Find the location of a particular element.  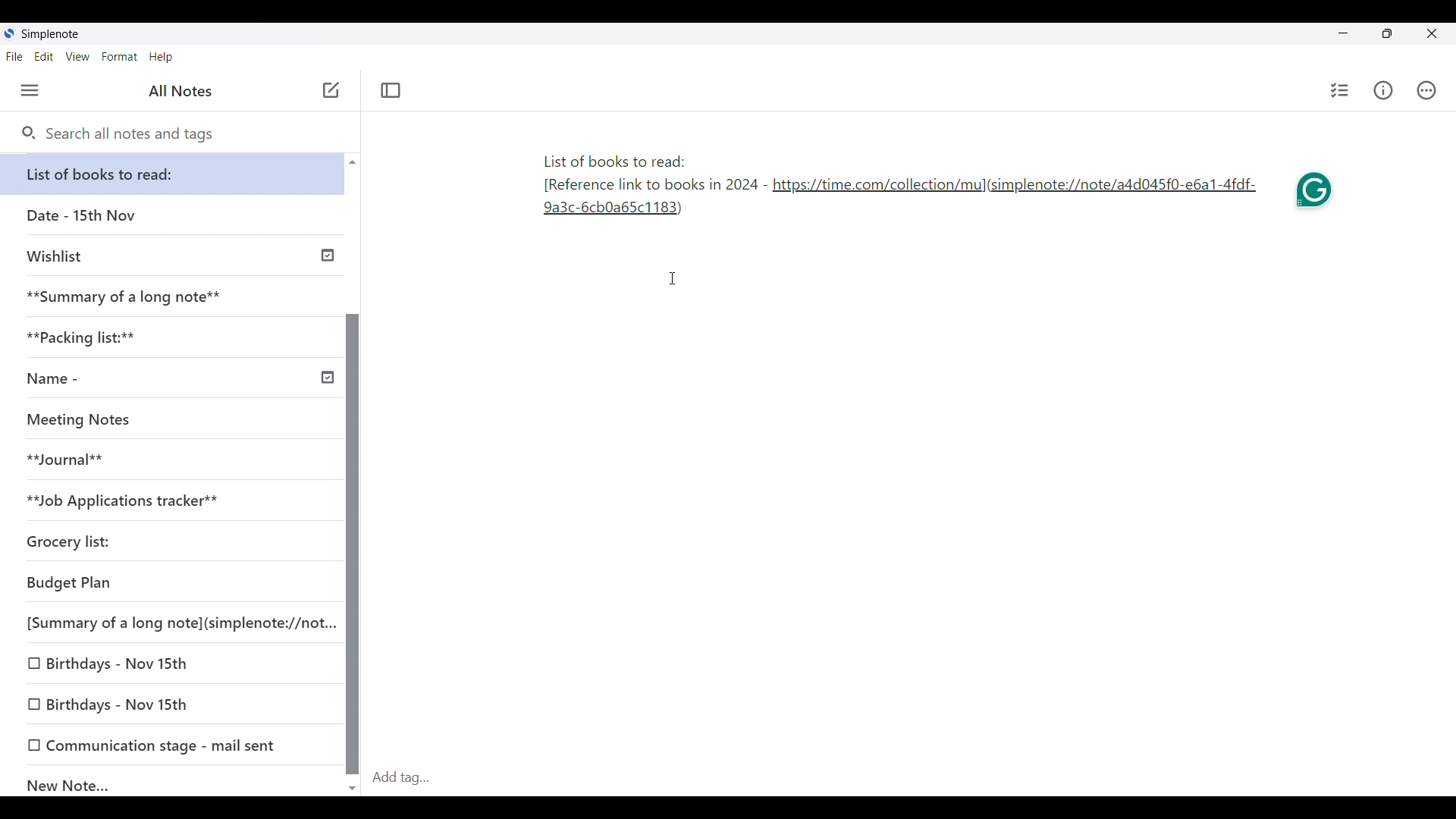

Cursor is located at coordinates (674, 278).